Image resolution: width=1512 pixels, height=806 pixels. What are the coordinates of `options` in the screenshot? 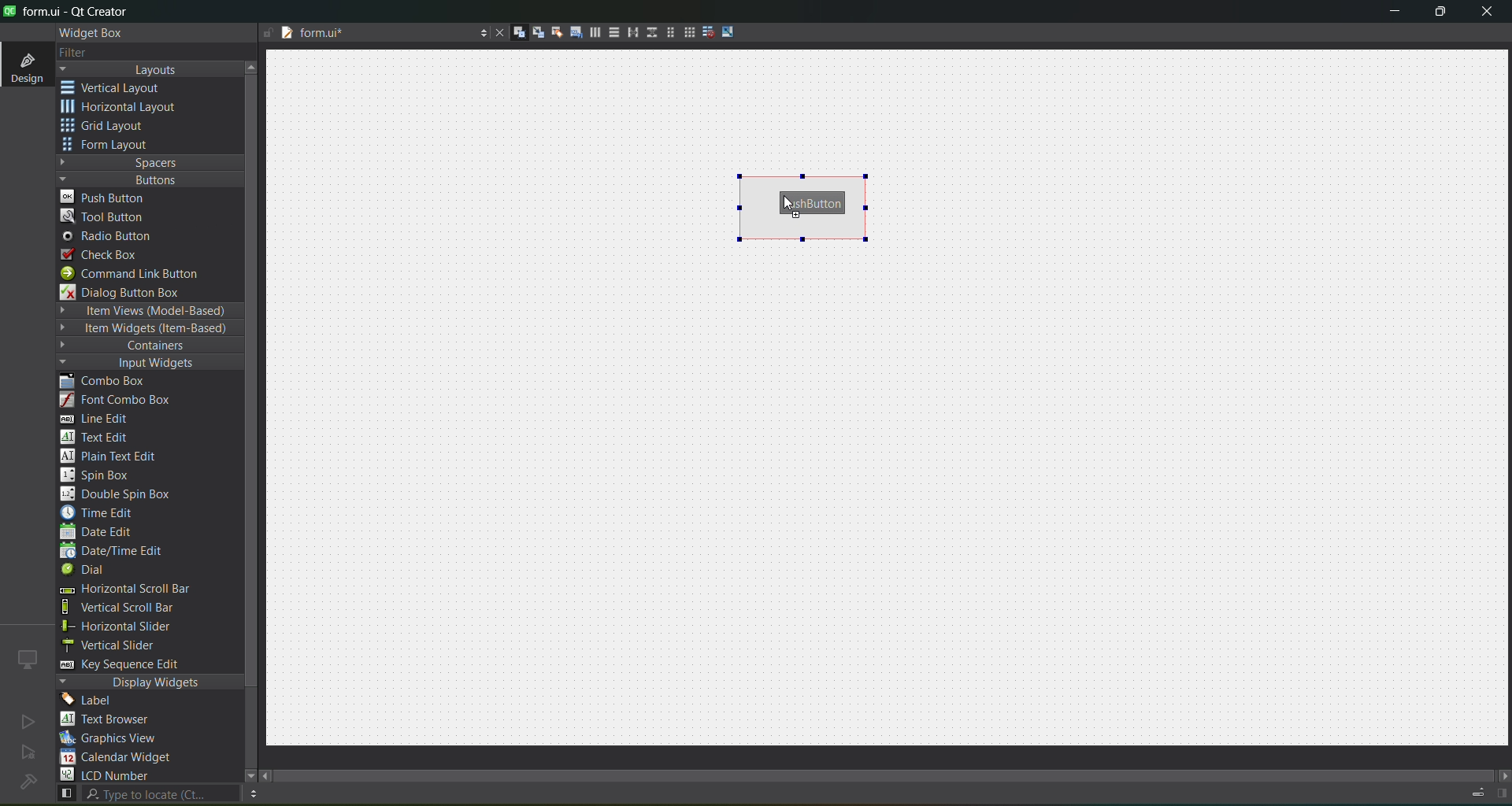 It's located at (479, 35).